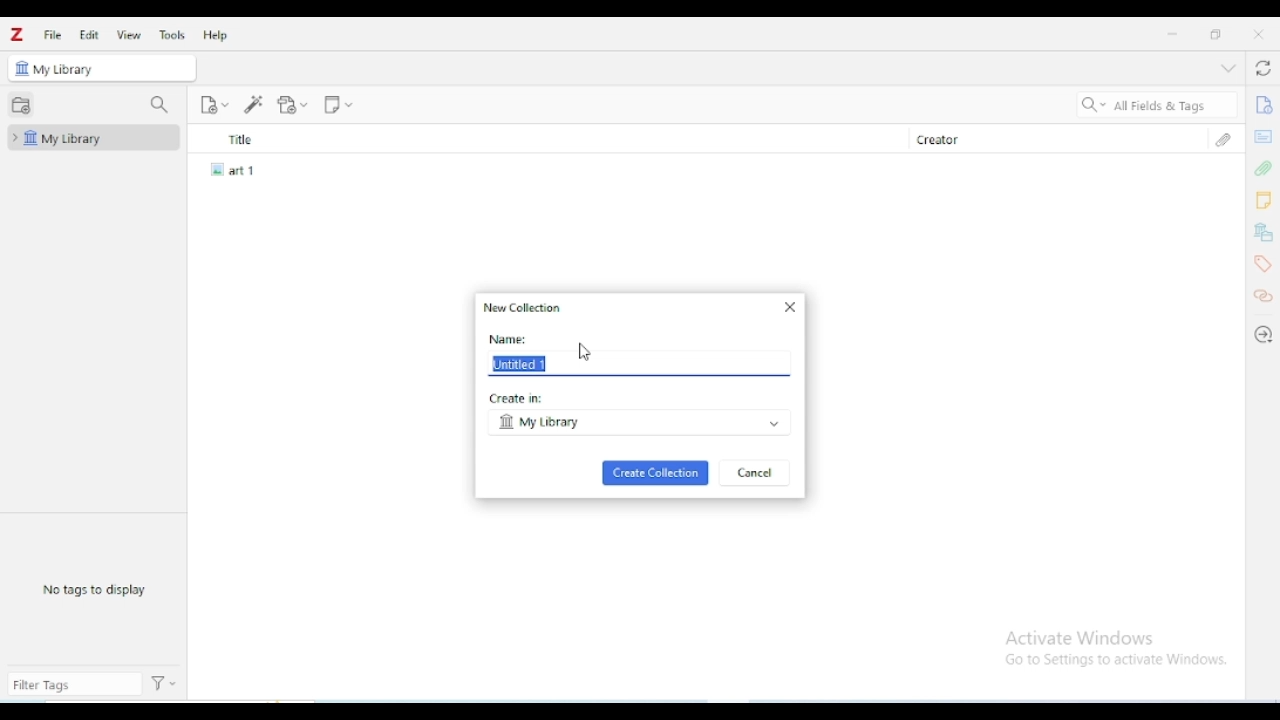 This screenshot has height=720, width=1280. Describe the element at coordinates (1216, 34) in the screenshot. I see `maximize` at that location.